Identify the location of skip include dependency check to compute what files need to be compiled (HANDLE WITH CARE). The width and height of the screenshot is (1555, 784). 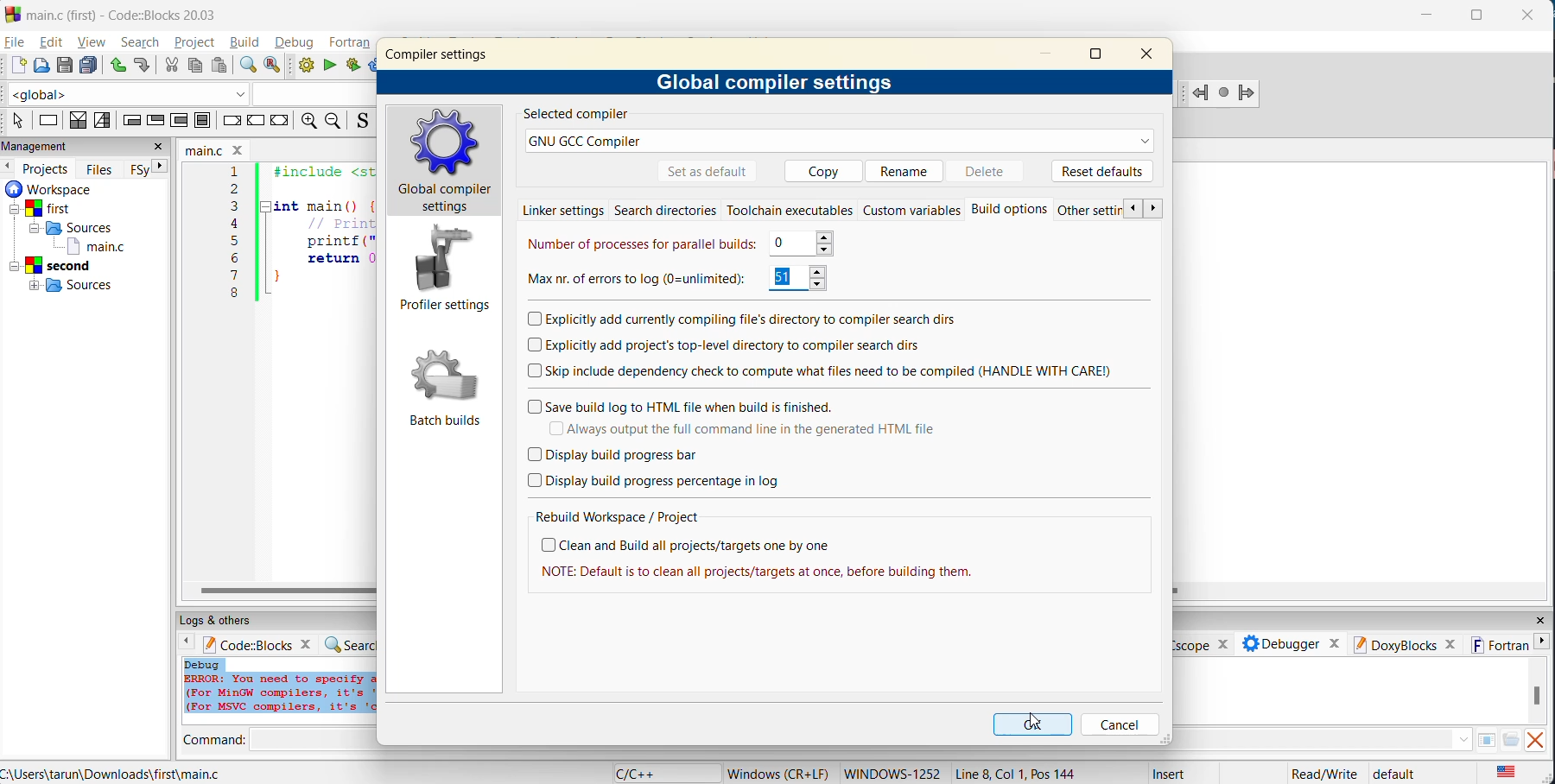
(835, 372).